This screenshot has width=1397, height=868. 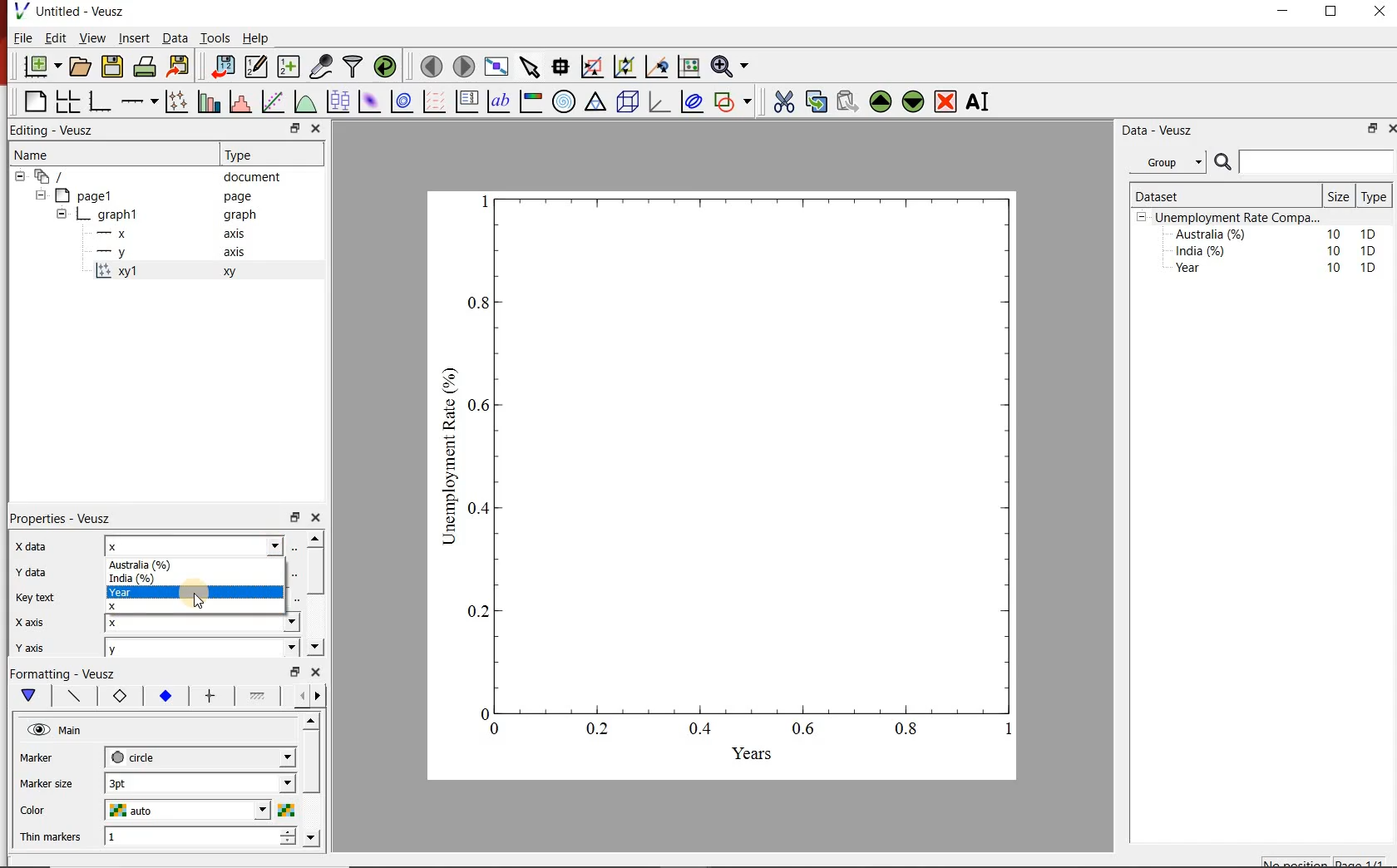 What do you see at coordinates (1378, 15) in the screenshot?
I see `close` at bounding box center [1378, 15].